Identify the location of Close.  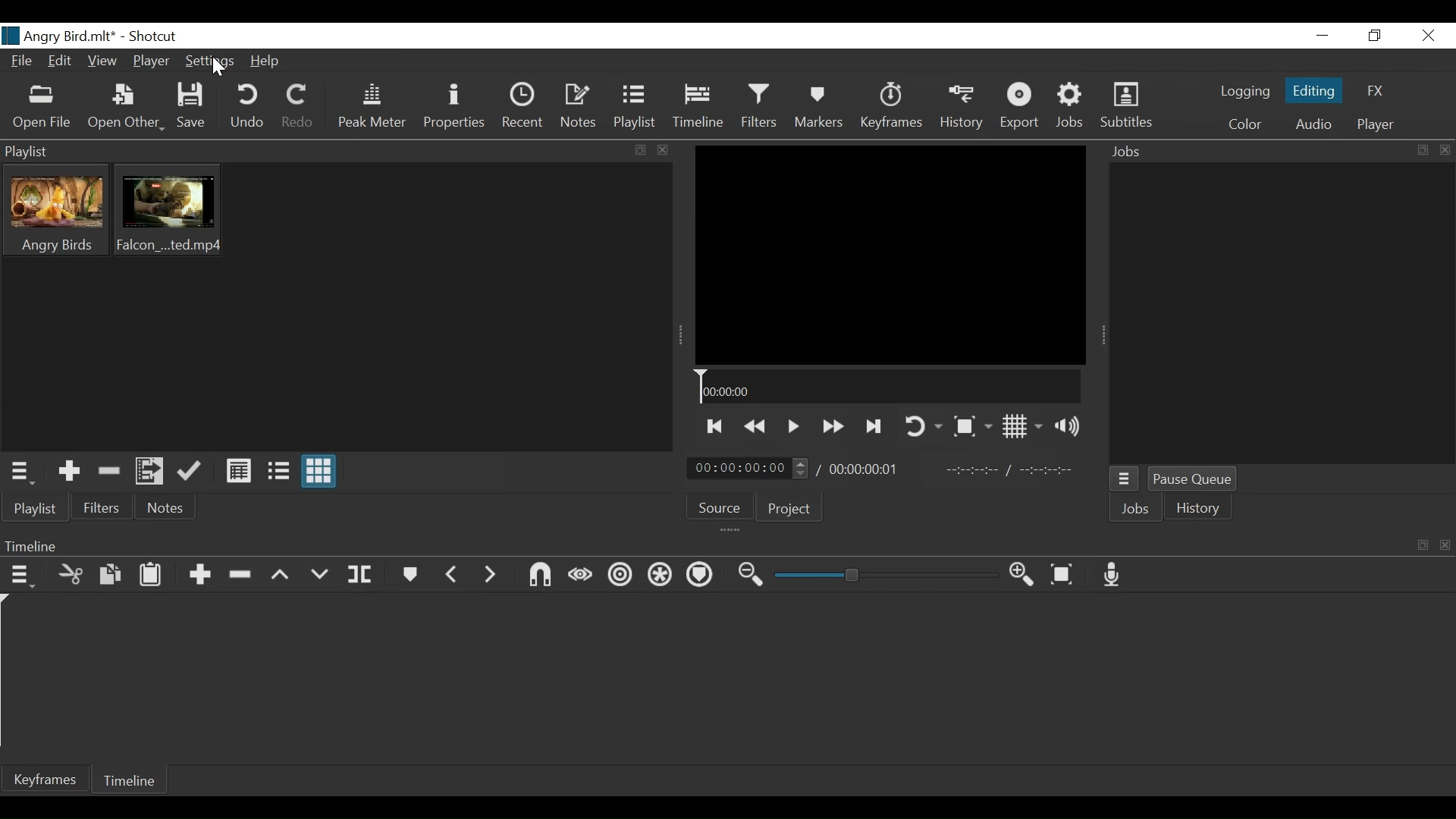
(1428, 35).